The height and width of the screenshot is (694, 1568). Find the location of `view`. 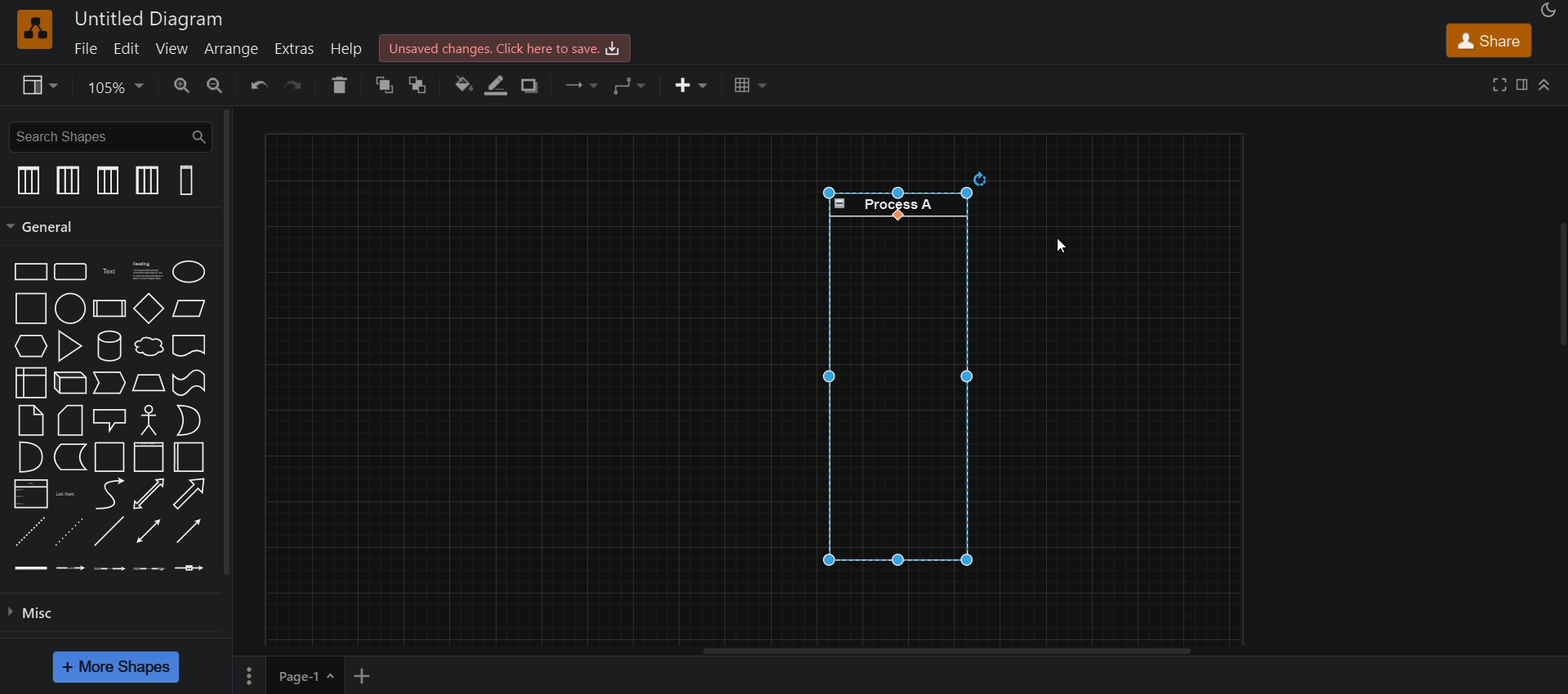

view is located at coordinates (173, 49).